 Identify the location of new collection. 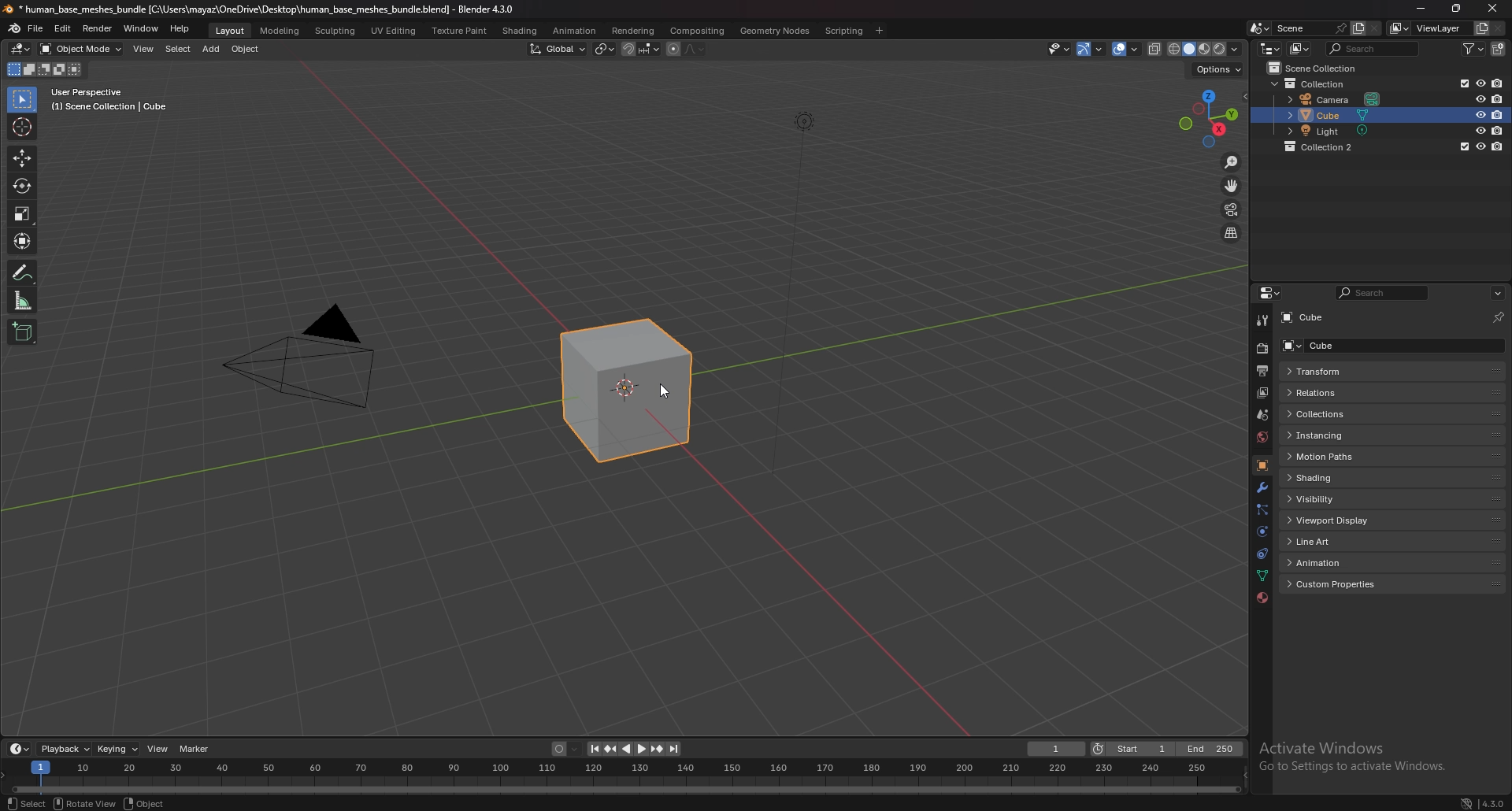
(1500, 48).